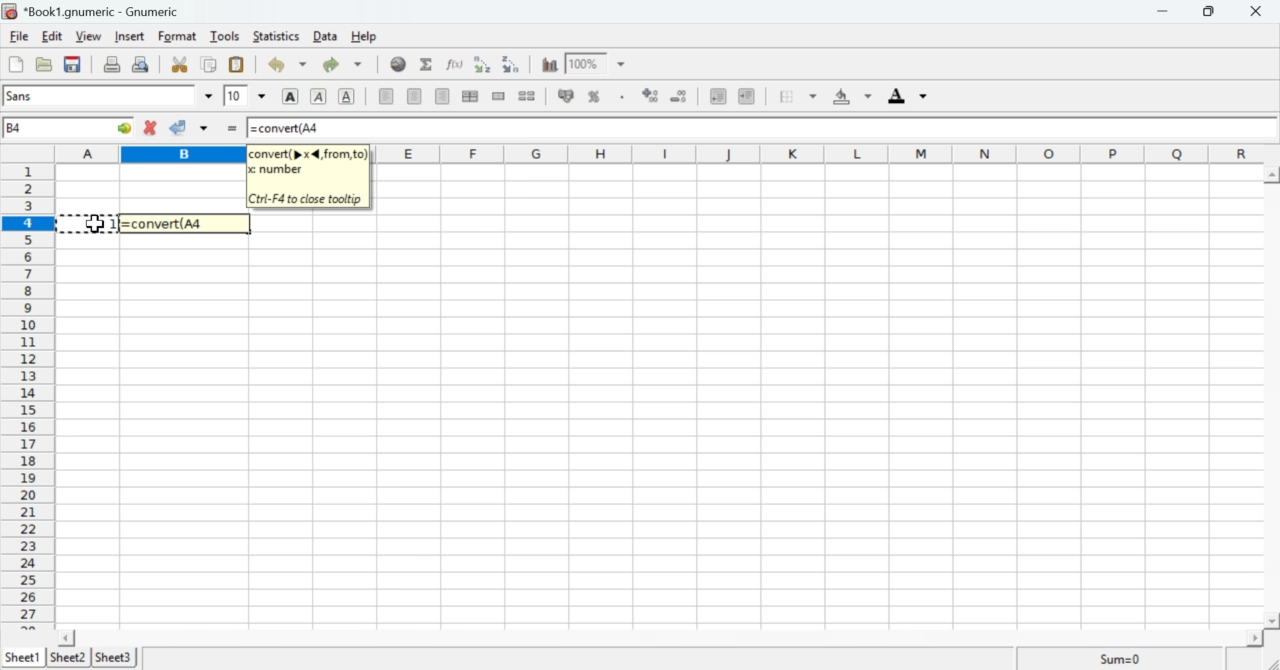 The height and width of the screenshot is (670, 1280). What do you see at coordinates (55, 37) in the screenshot?
I see `Edit` at bounding box center [55, 37].